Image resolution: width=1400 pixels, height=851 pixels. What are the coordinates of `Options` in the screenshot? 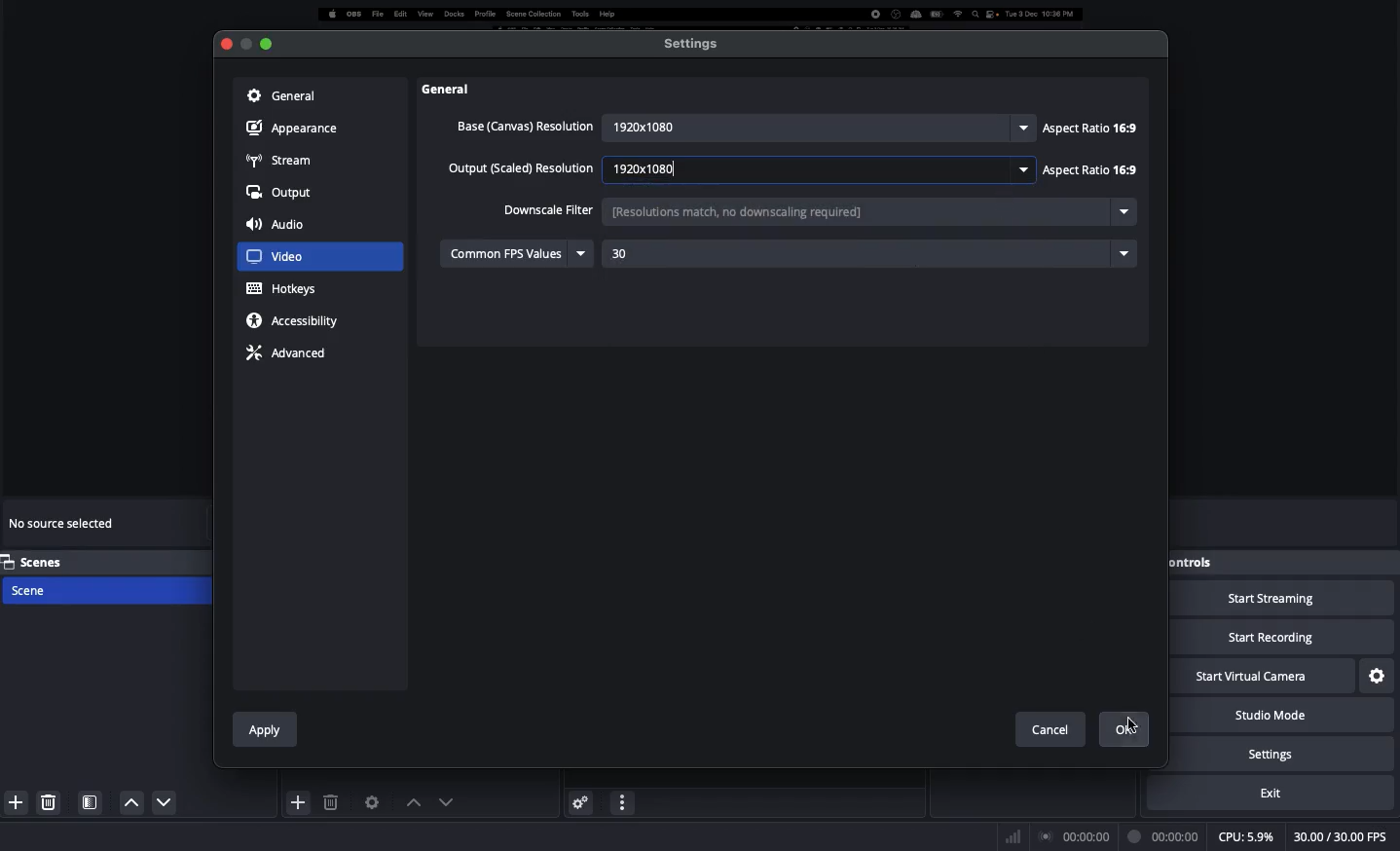 It's located at (623, 800).